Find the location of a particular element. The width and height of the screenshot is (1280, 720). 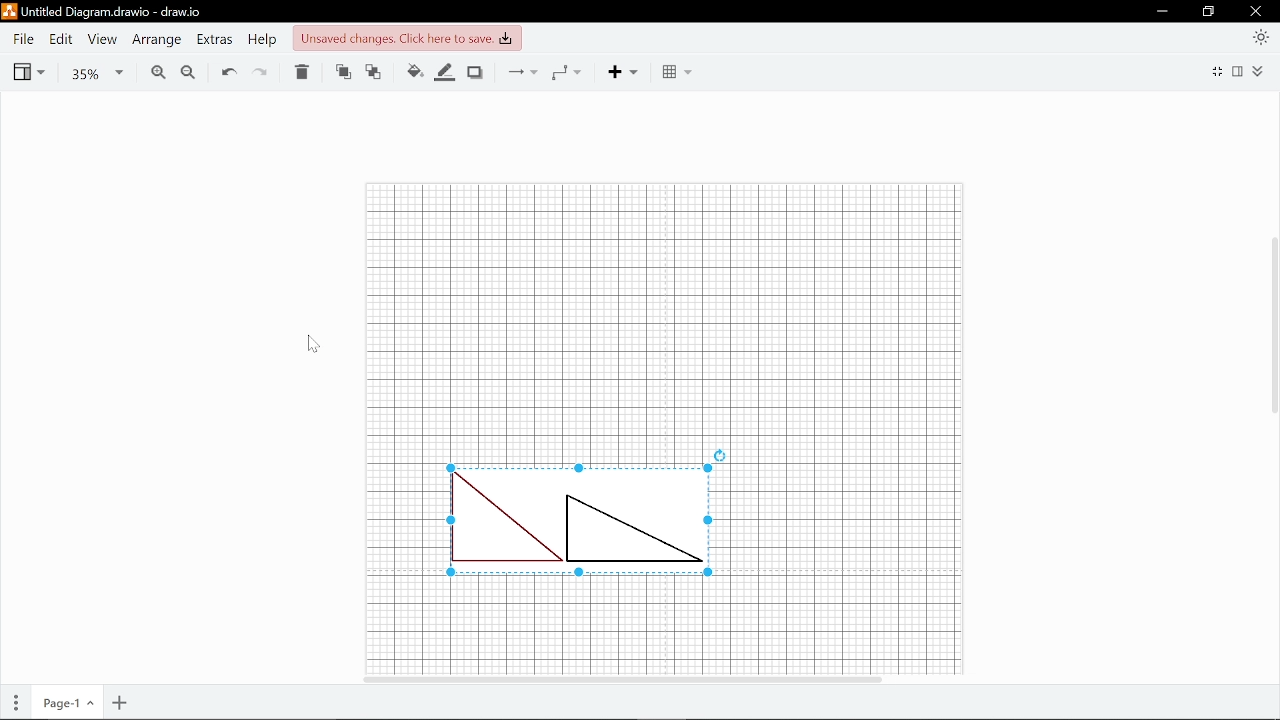

Zoom in is located at coordinates (158, 75).